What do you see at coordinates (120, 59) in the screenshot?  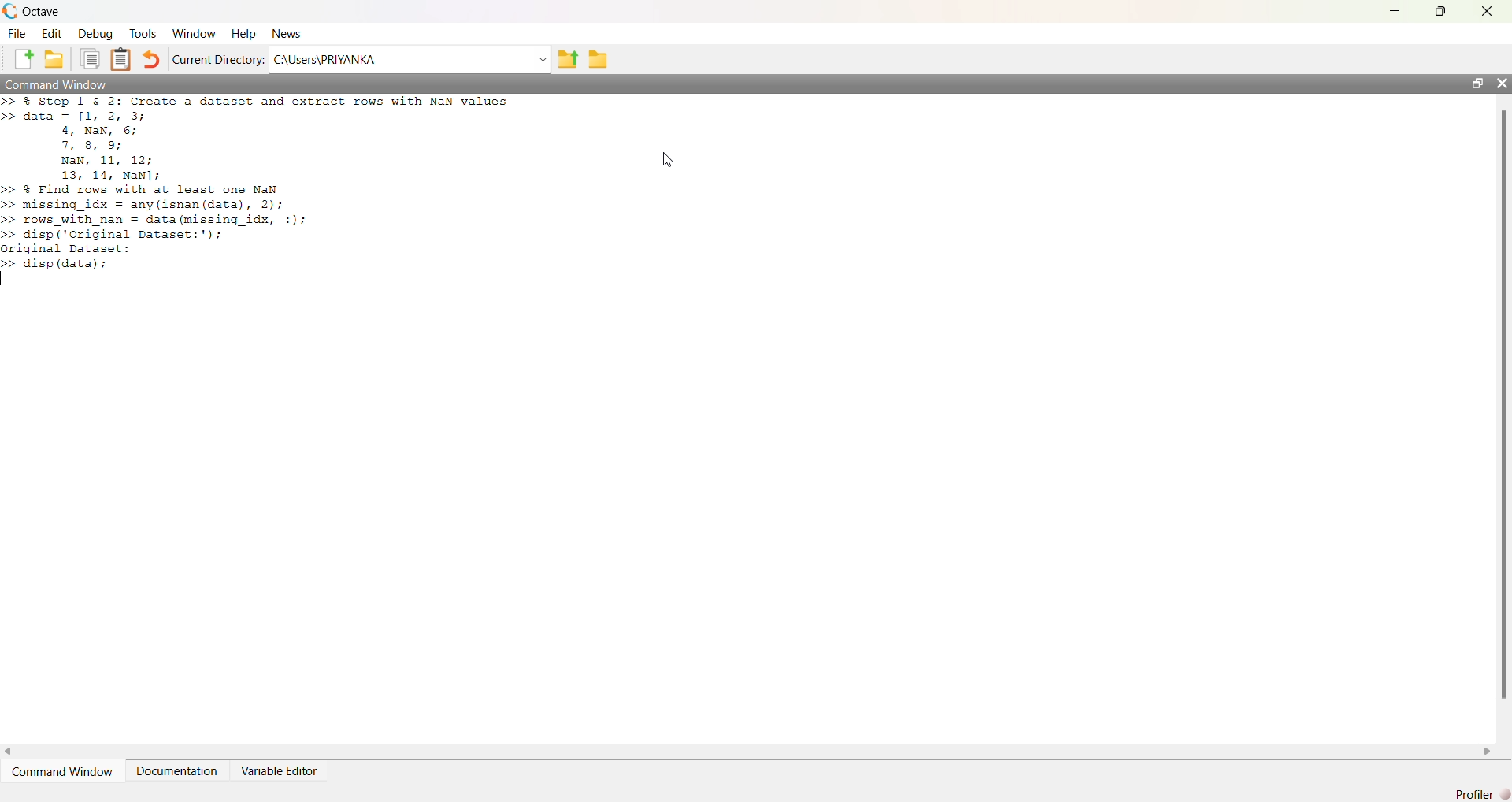 I see `Clipboard` at bounding box center [120, 59].